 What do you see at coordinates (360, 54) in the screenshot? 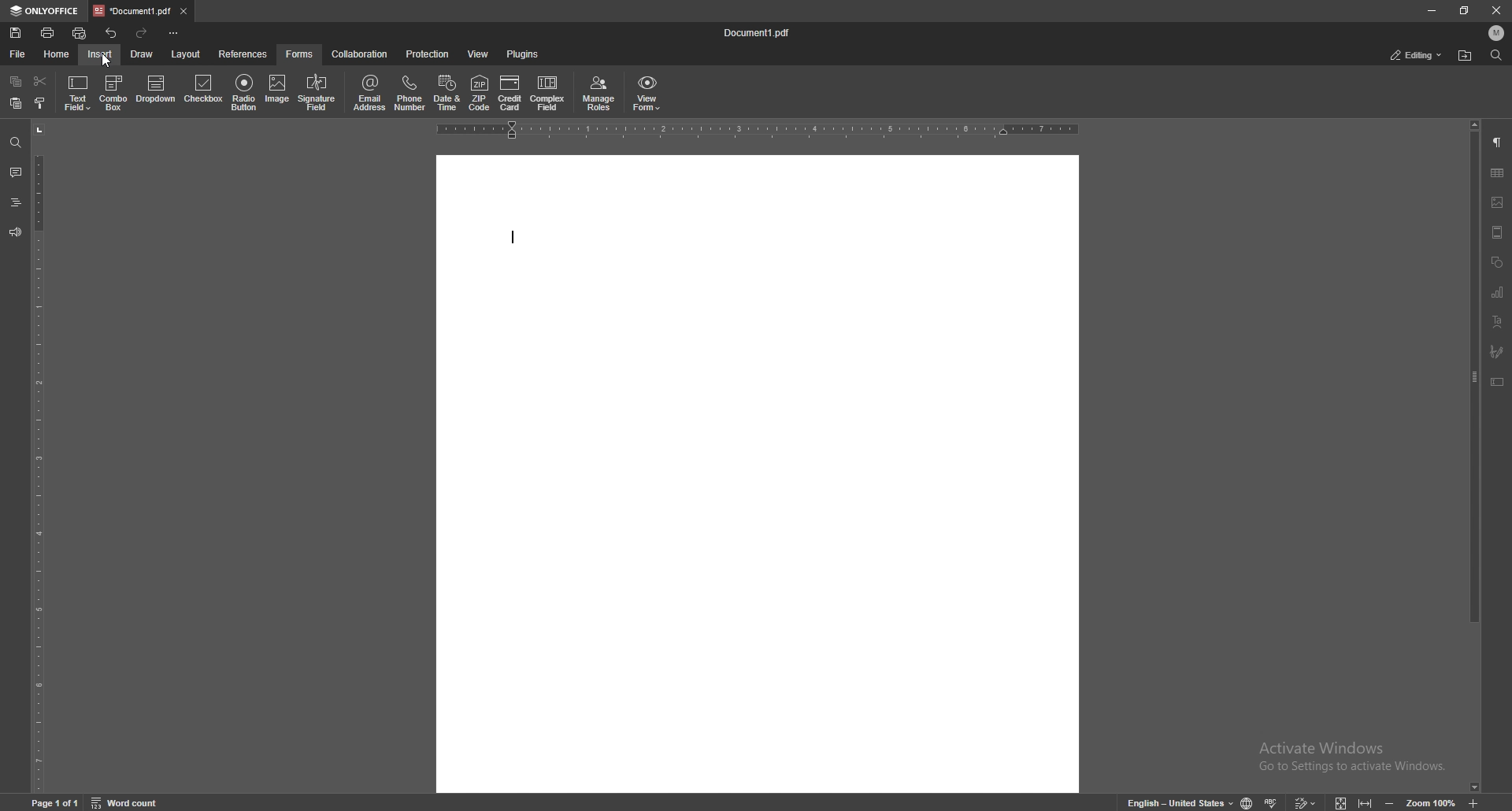
I see `collaboration` at bounding box center [360, 54].